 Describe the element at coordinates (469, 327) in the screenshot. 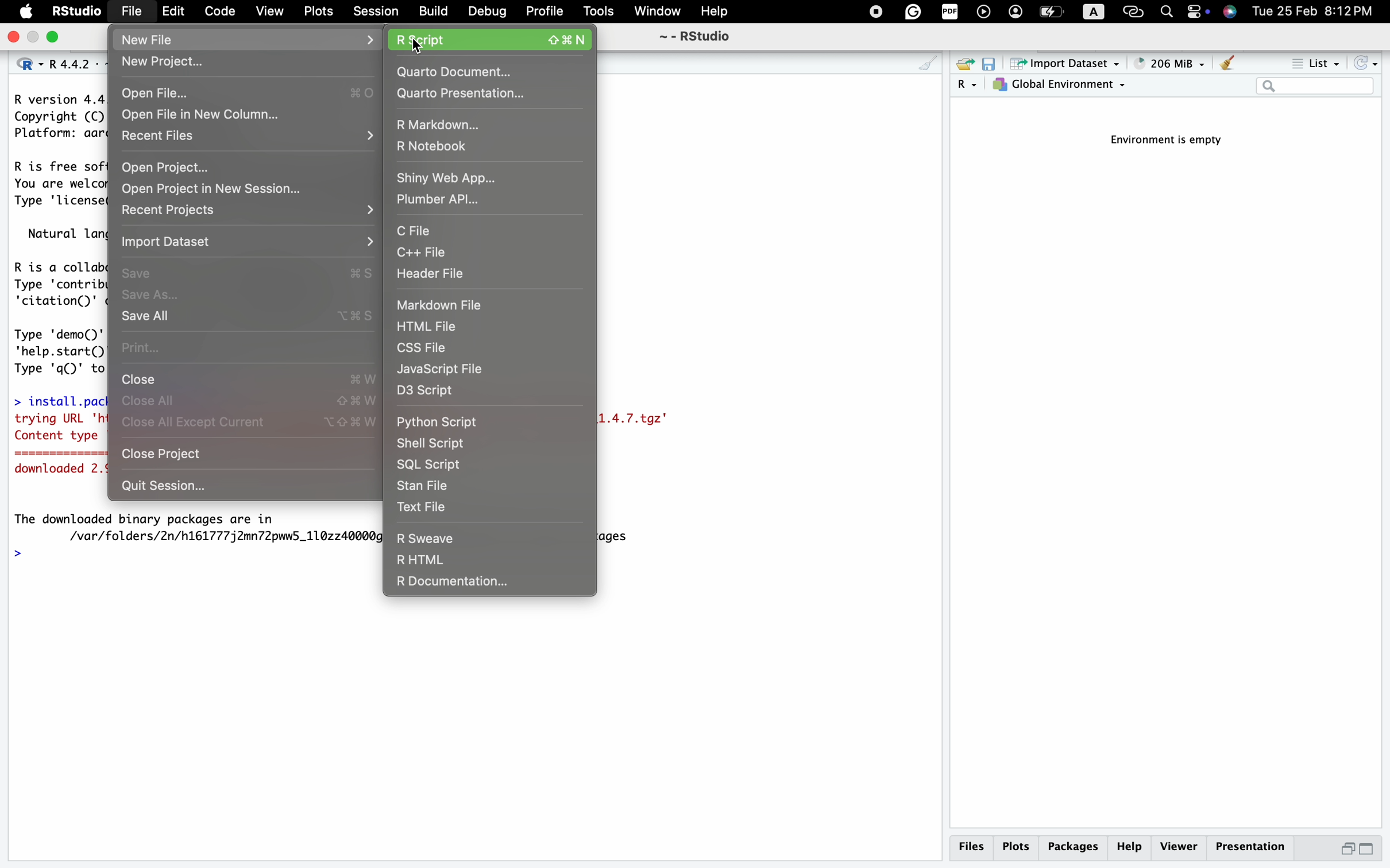

I see `HTML file` at that location.